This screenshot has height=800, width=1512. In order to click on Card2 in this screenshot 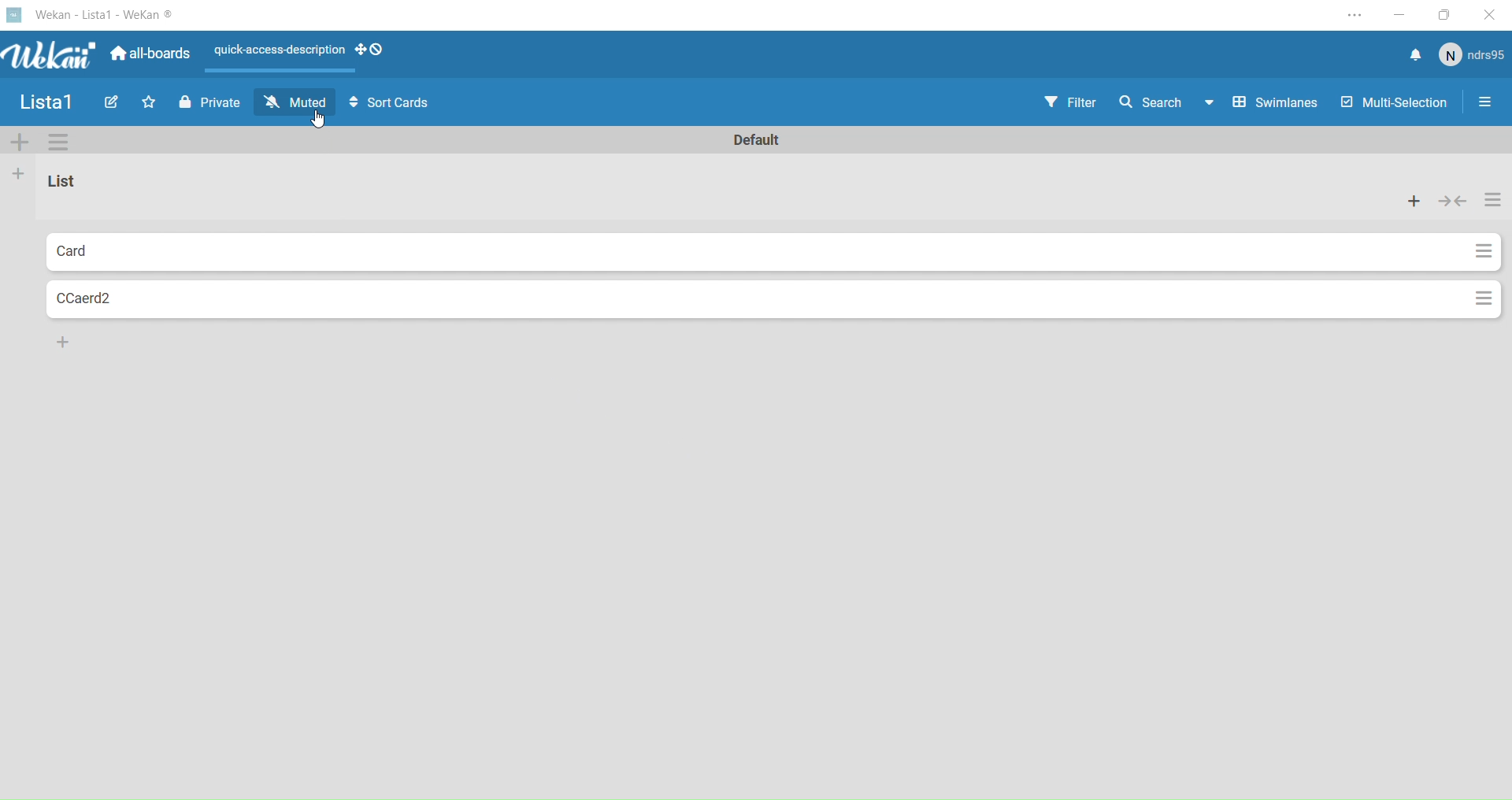, I will do `click(130, 301)`.